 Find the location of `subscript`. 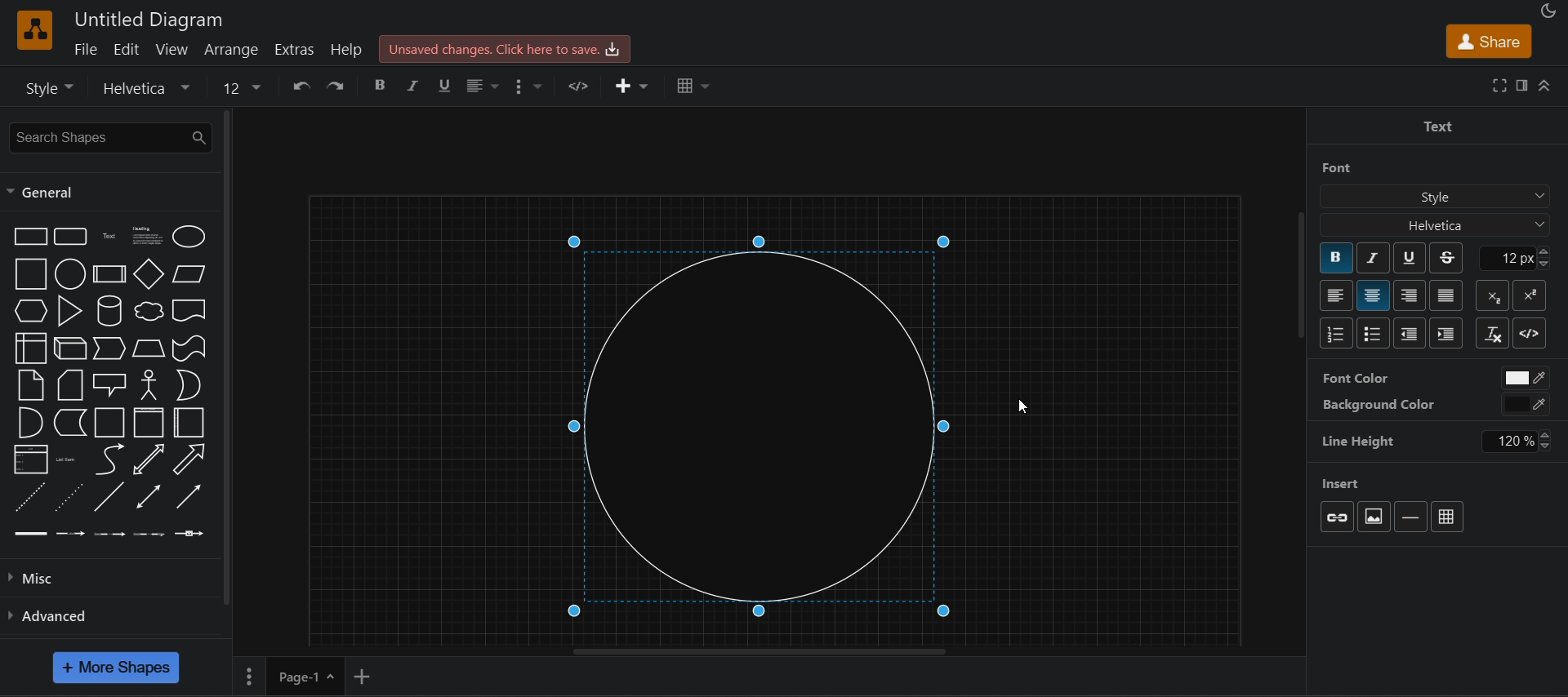

subscript is located at coordinates (1490, 295).